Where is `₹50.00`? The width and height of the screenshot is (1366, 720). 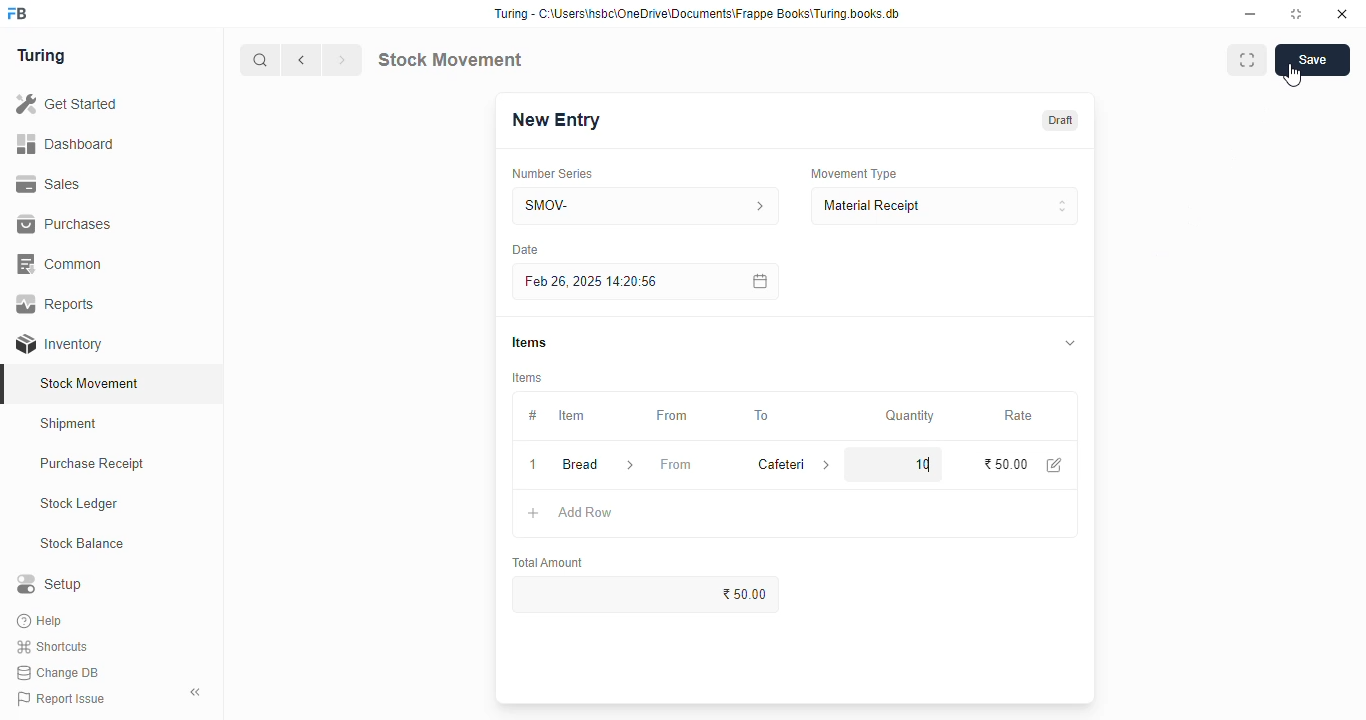 ₹50.00 is located at coordinates (1007, 464).